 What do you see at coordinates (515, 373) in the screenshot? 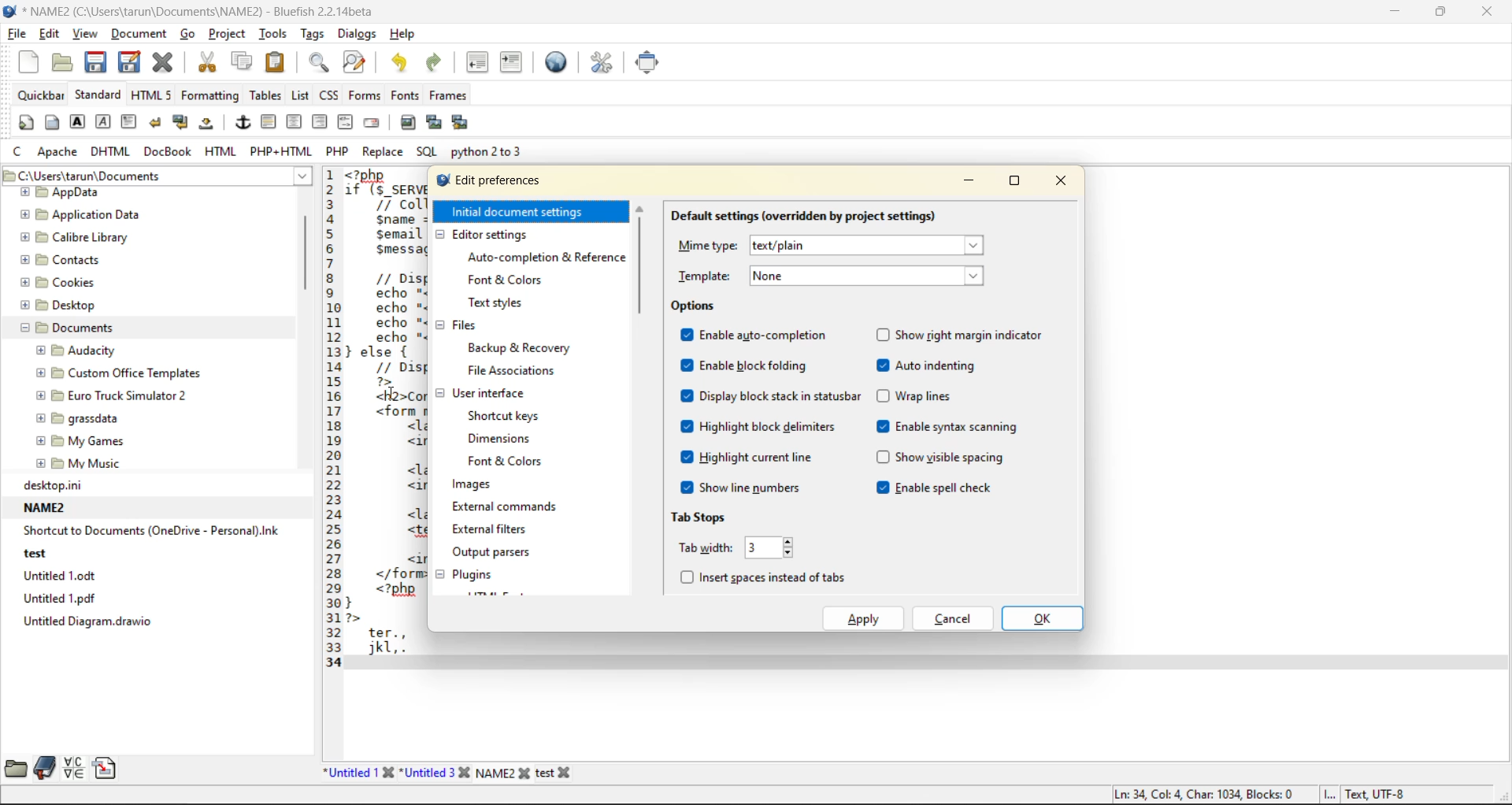
I see `file associations` at bounding box center [515, 373].